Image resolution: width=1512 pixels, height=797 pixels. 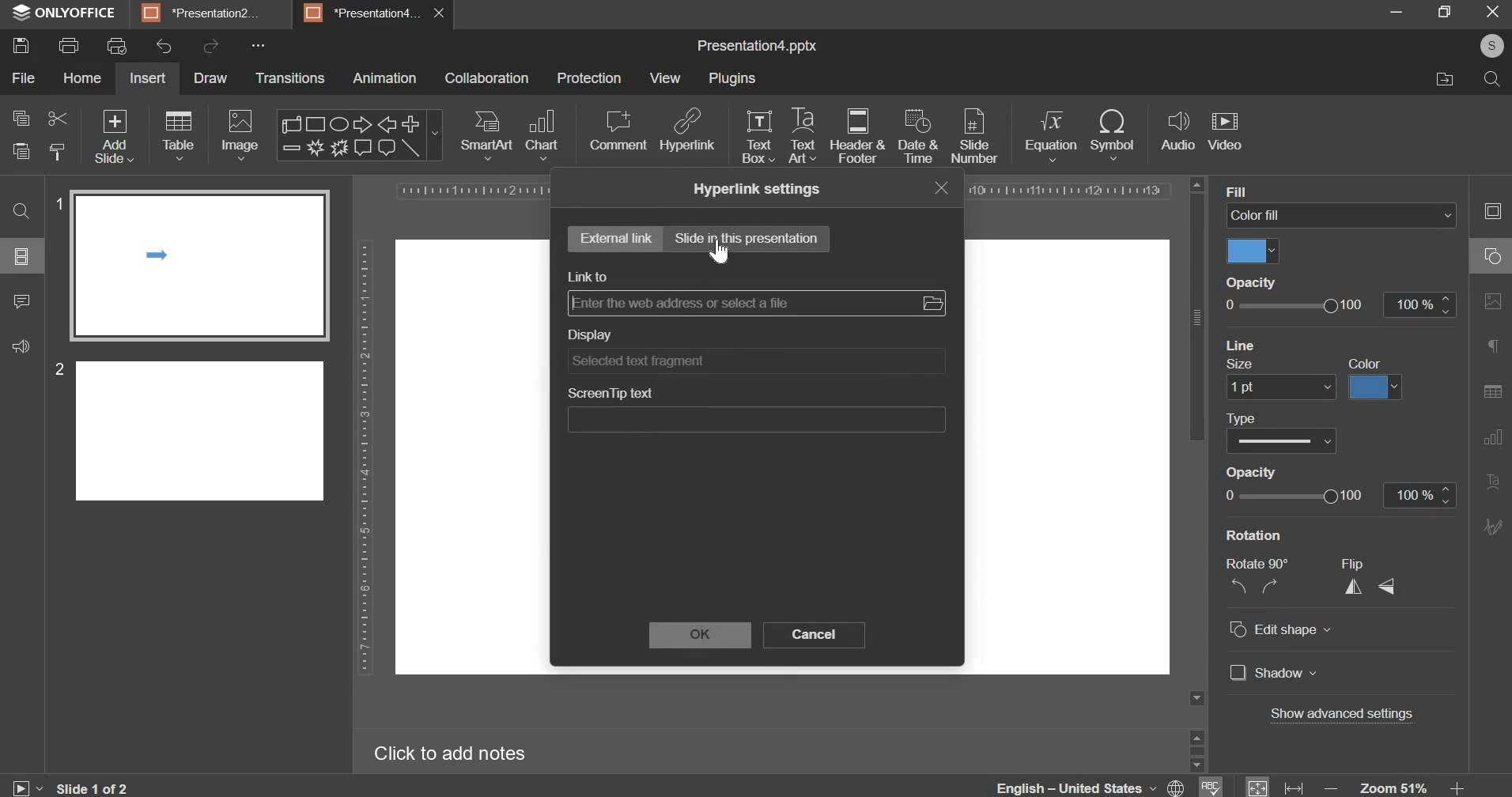 I want to click on move, so click(x=1441, y=81).